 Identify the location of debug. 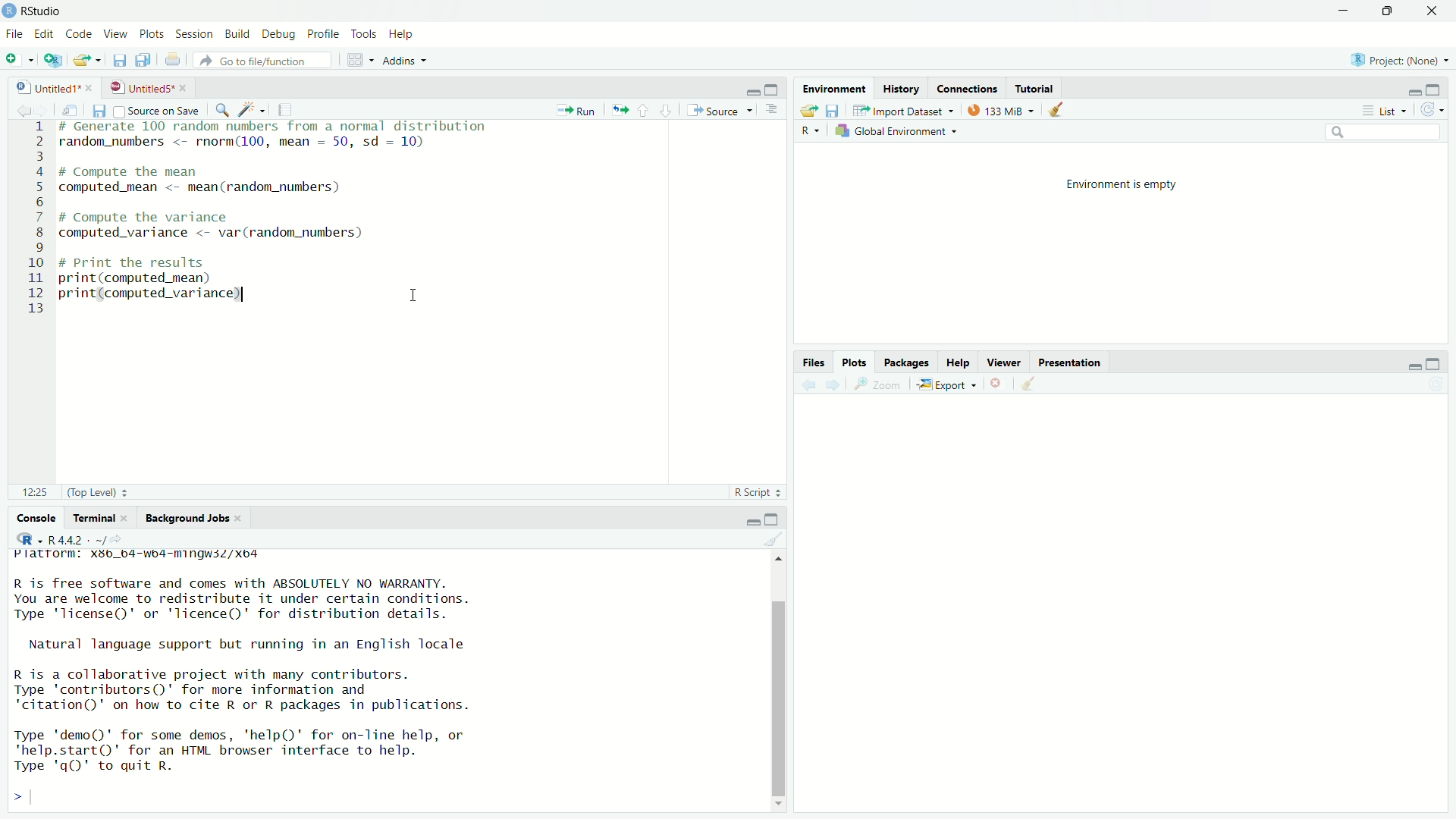
(278, 33).